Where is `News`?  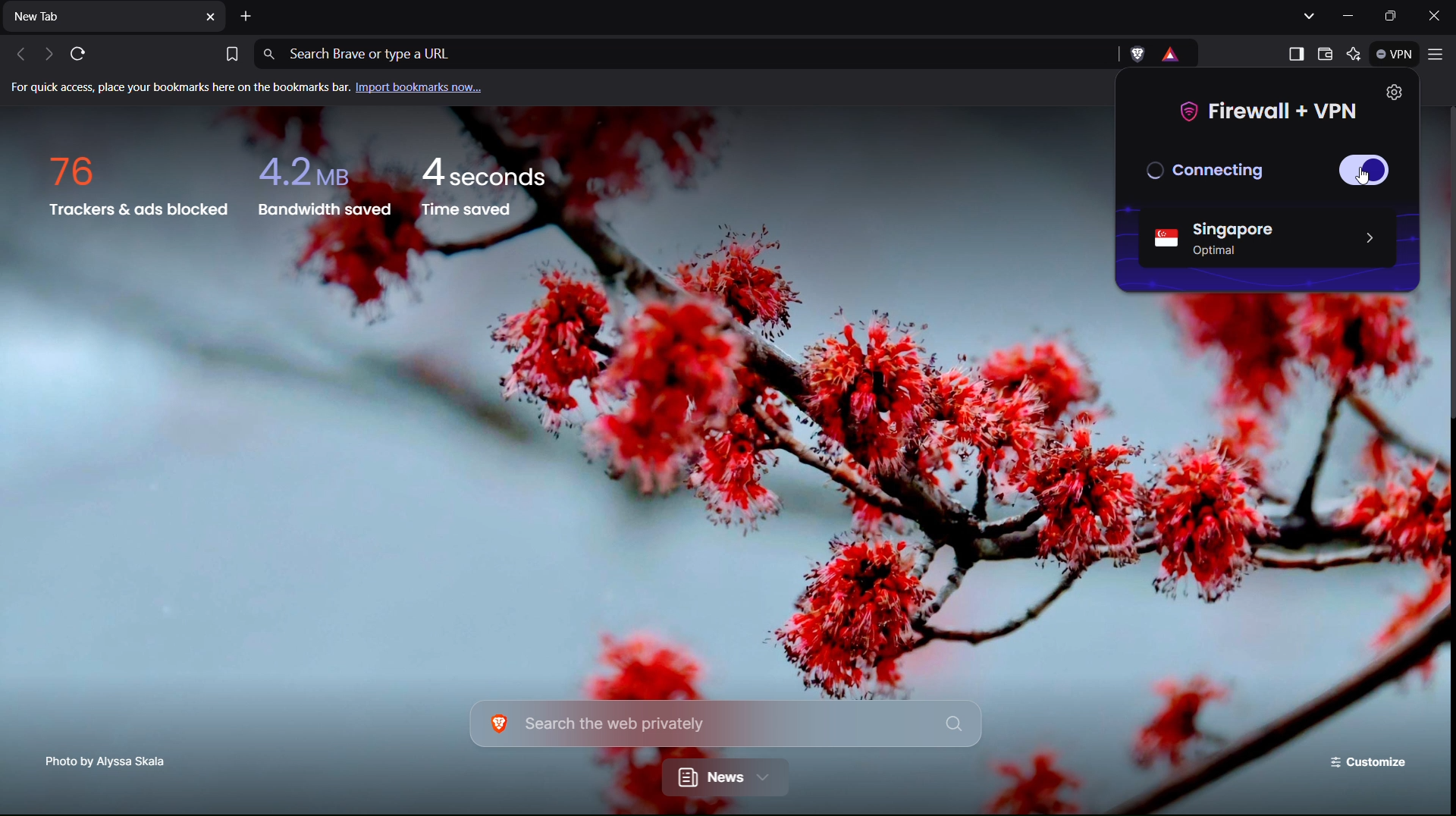 News is located at coordinates (726, 777).